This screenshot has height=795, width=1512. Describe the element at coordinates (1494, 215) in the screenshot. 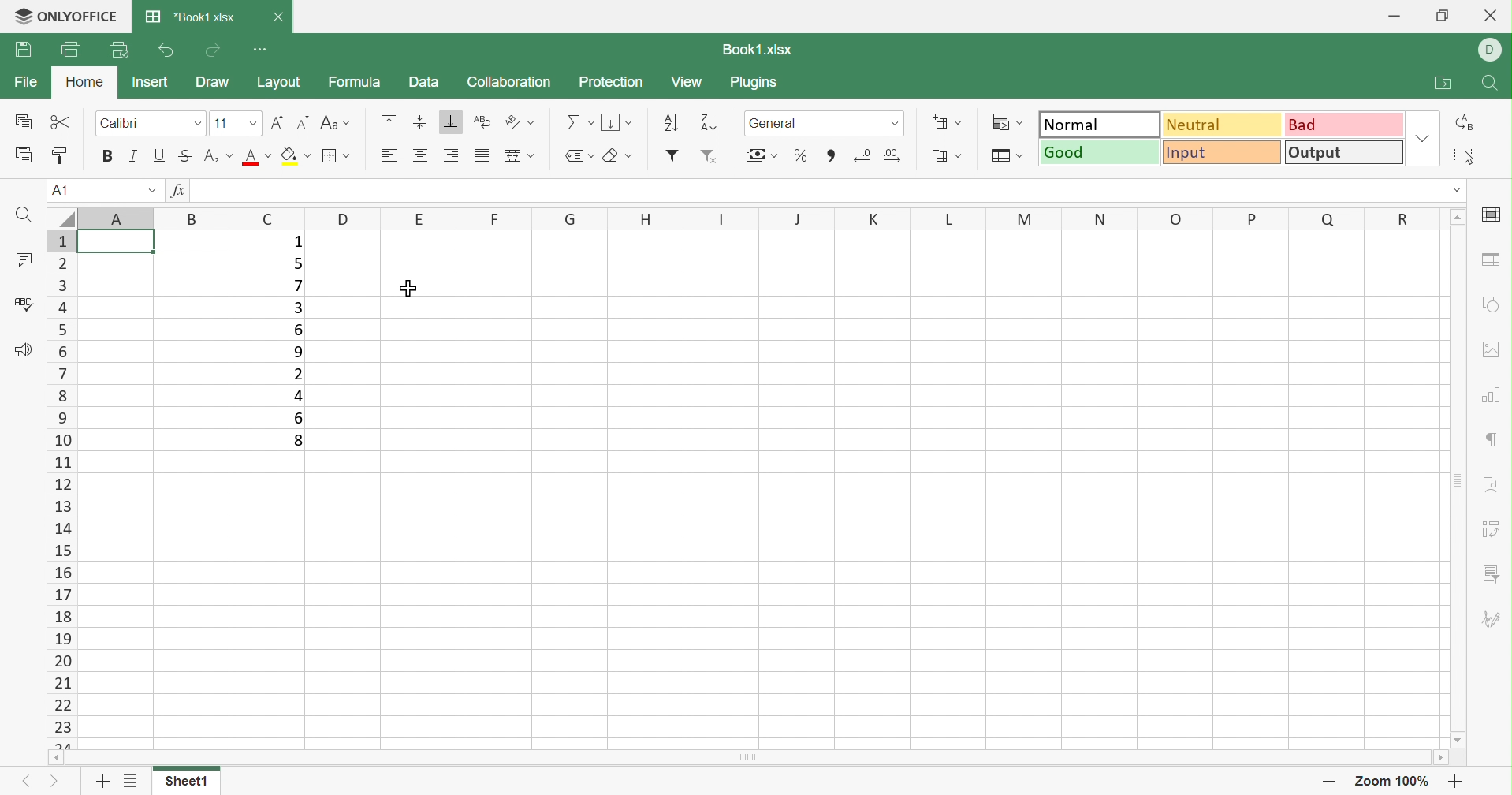

I see `cell settings` at that location.